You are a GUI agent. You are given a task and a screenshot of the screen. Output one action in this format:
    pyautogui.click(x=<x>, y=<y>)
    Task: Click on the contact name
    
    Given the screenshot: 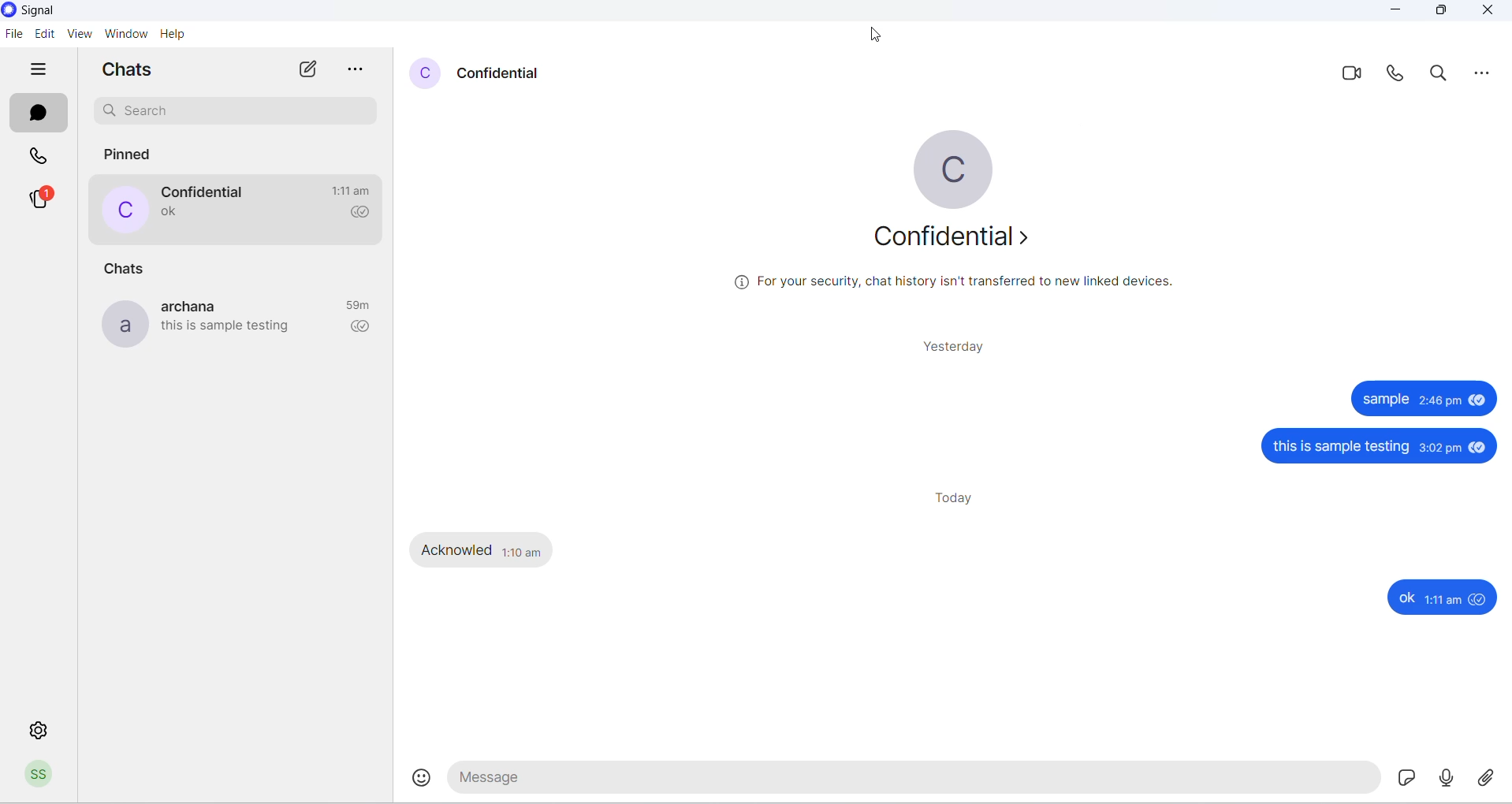 What is the action you would take?
    pyautogui.click(x=189, y=303)
    